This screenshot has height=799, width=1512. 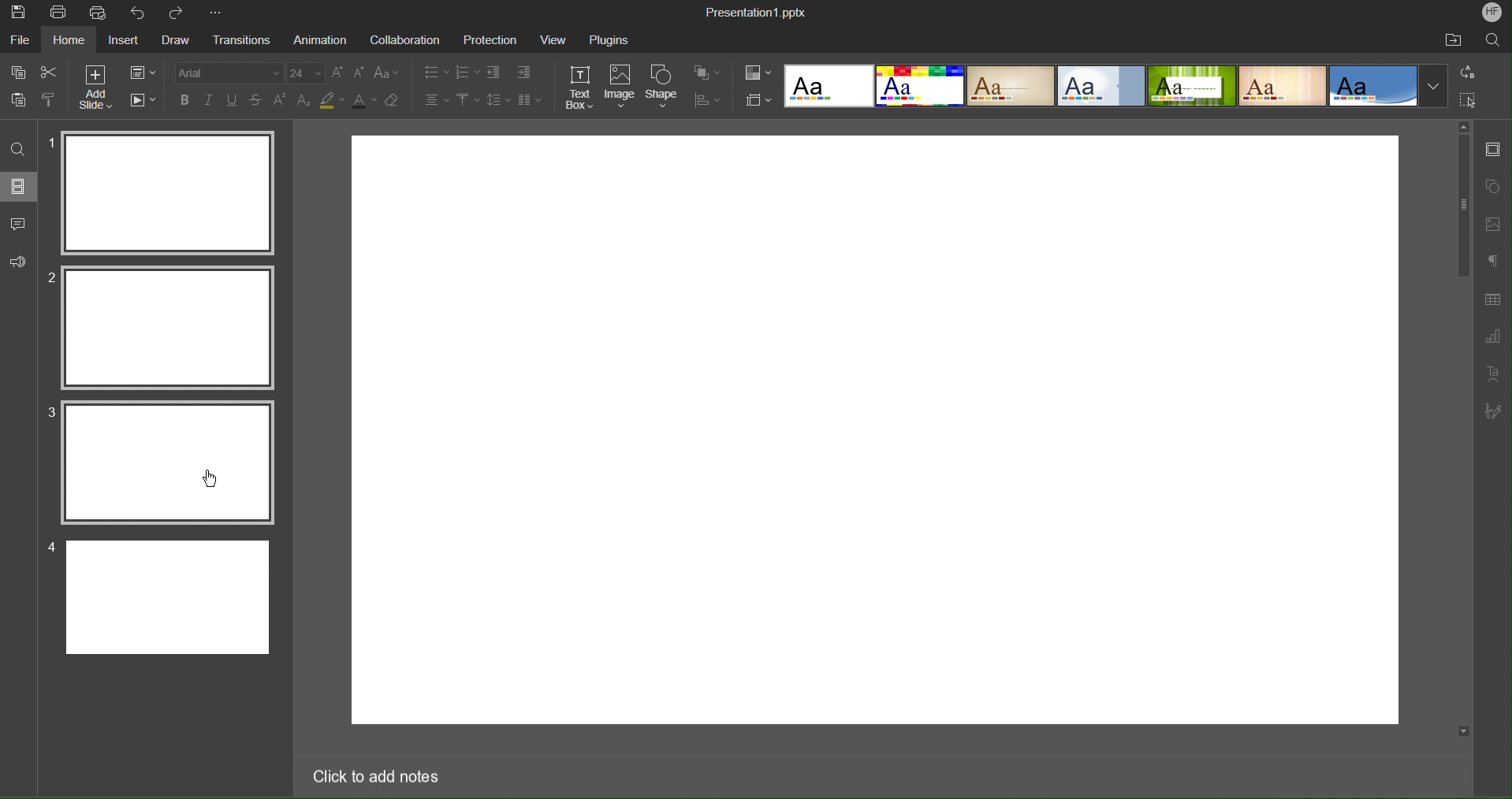 What do you see at coordinates (1455, 39) in the screenshot?
I see `Open File Location` at bounding box center [1455, 39].